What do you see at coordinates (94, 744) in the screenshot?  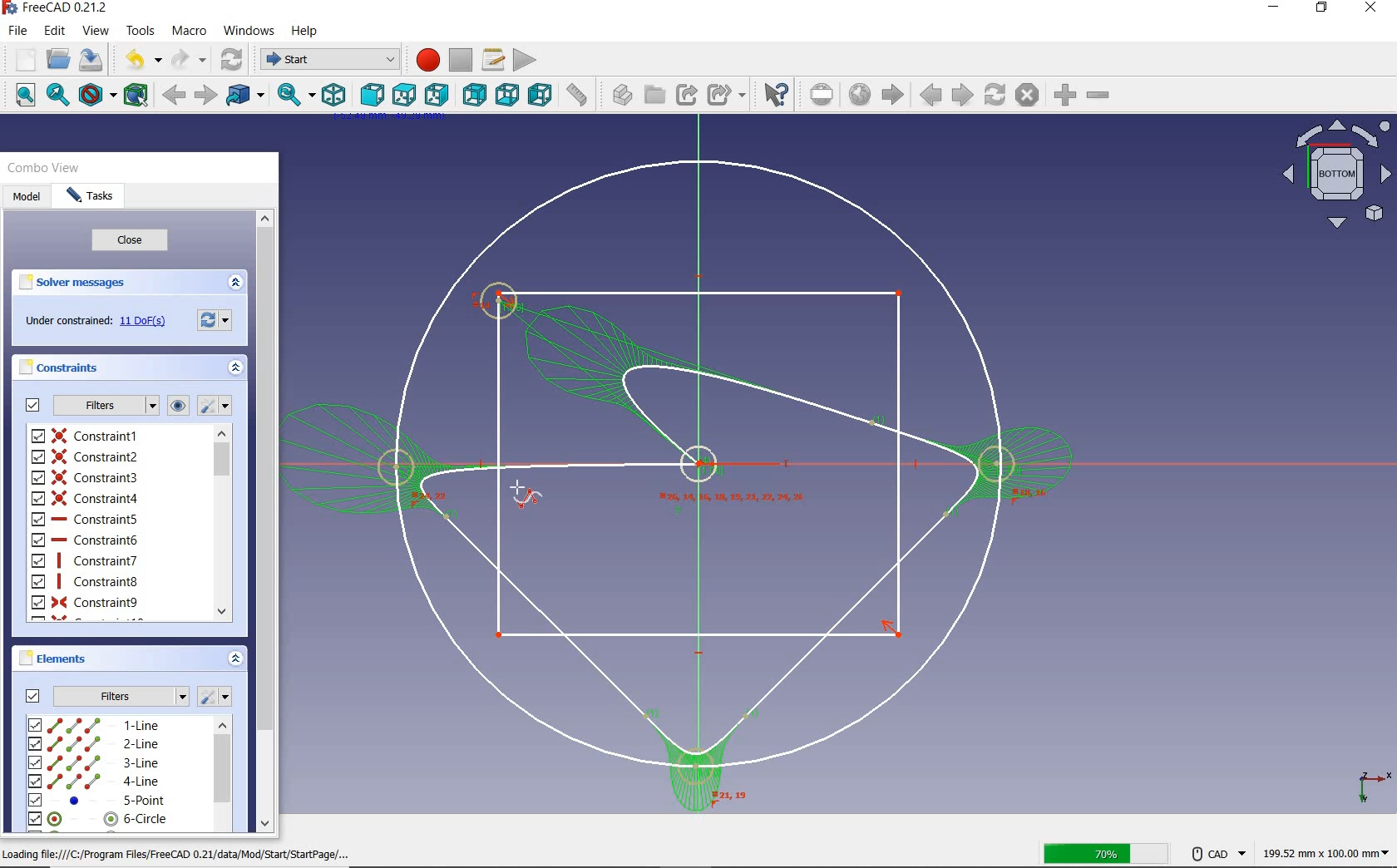 I see `2-line` at bounding box center [94, 744].